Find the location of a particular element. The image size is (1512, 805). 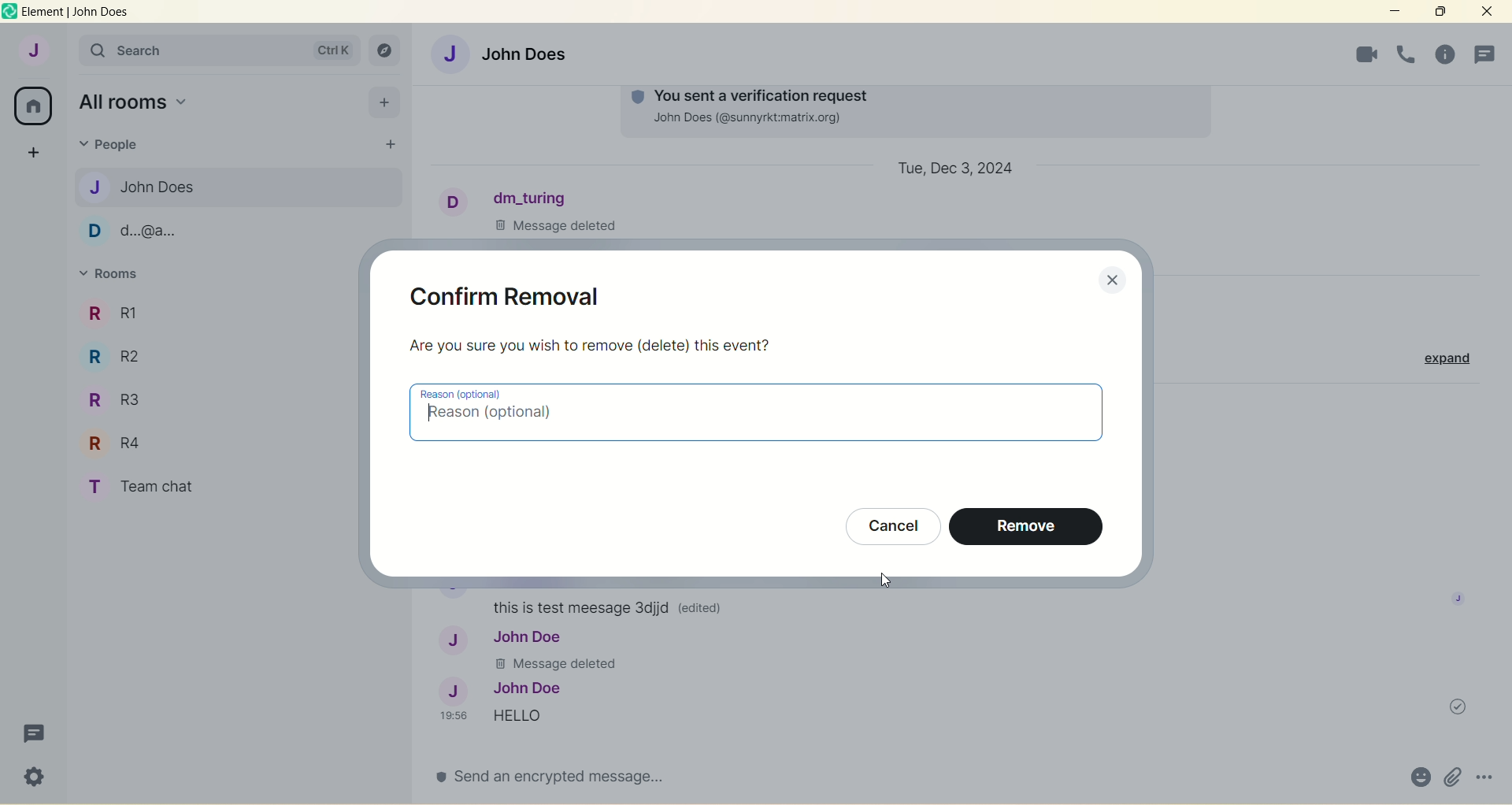

all rooms is located at coordinates (135, 102).